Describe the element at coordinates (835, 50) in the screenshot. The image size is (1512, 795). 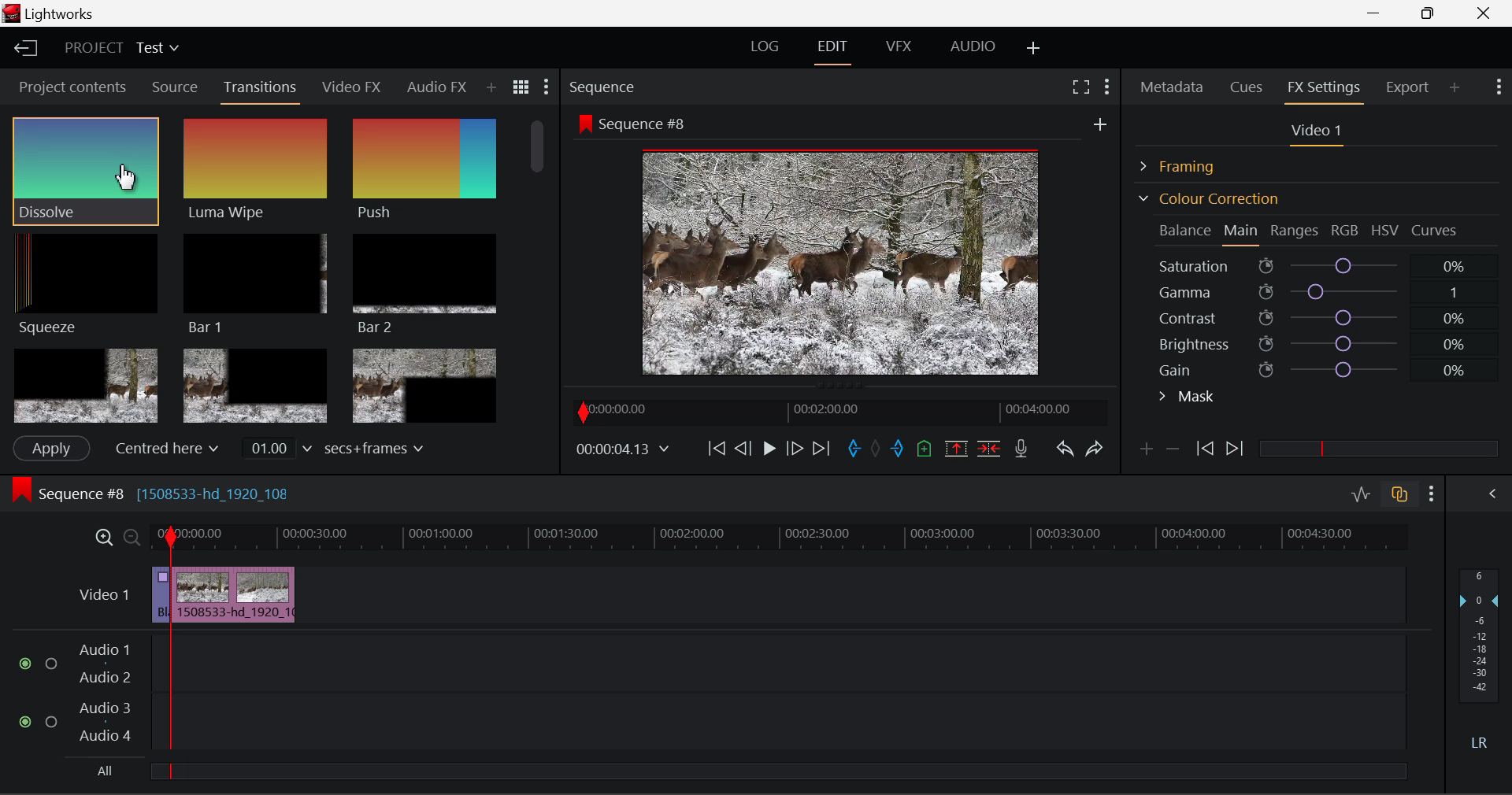
I see `EDIT Layout` at that location.